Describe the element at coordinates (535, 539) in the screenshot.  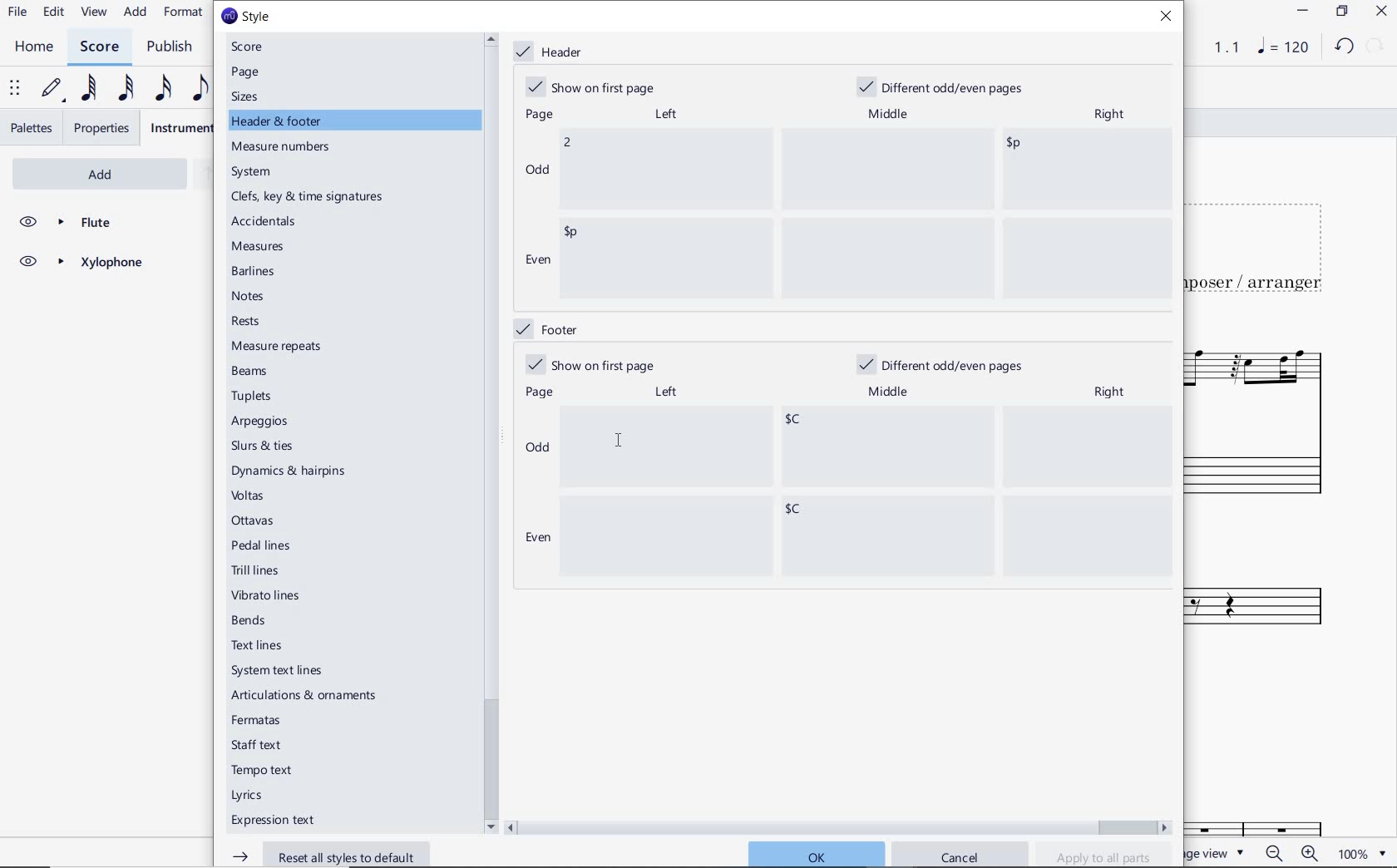
I see `even` at that location.